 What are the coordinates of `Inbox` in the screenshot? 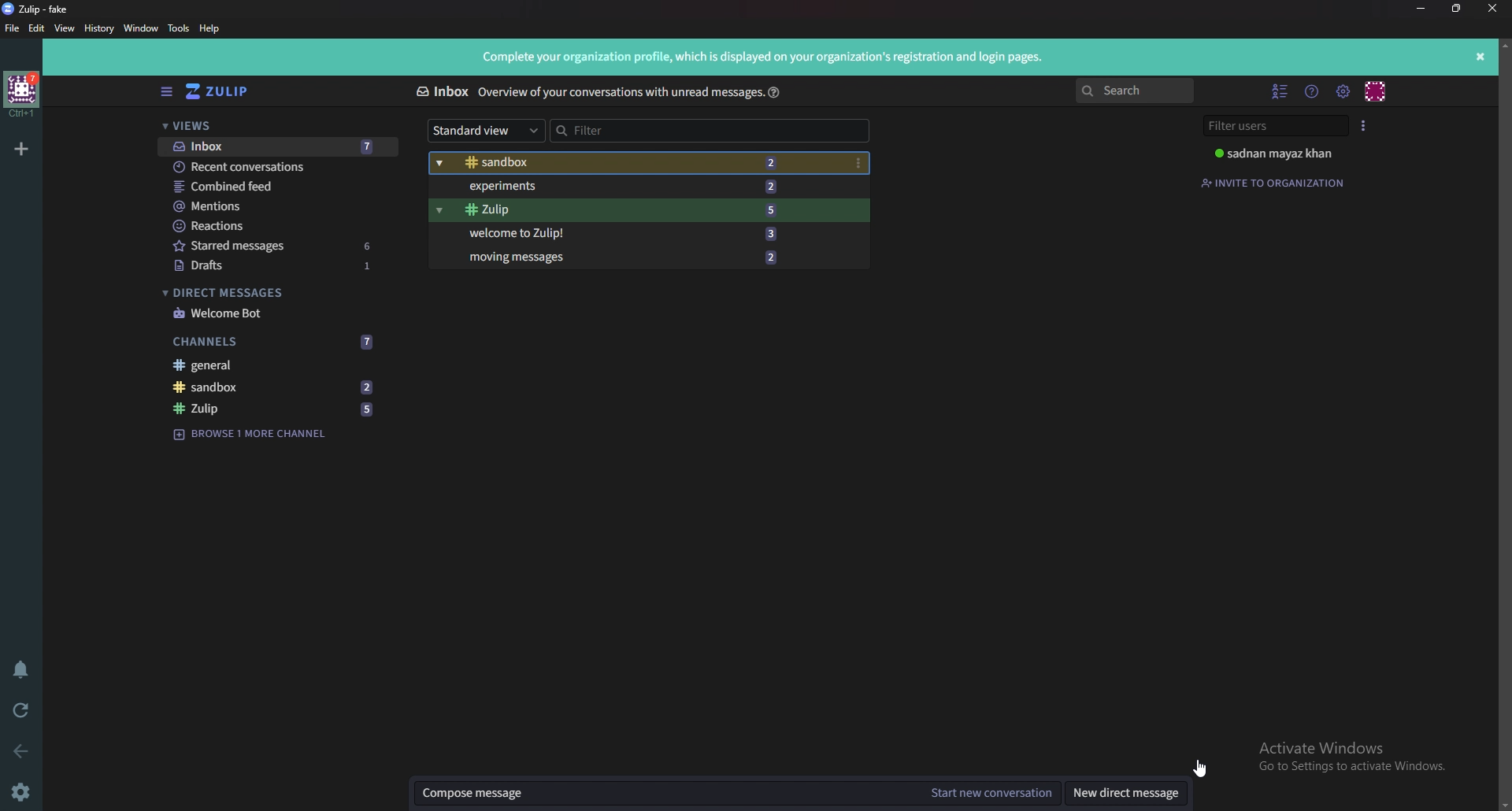 It's located at (441, 89).